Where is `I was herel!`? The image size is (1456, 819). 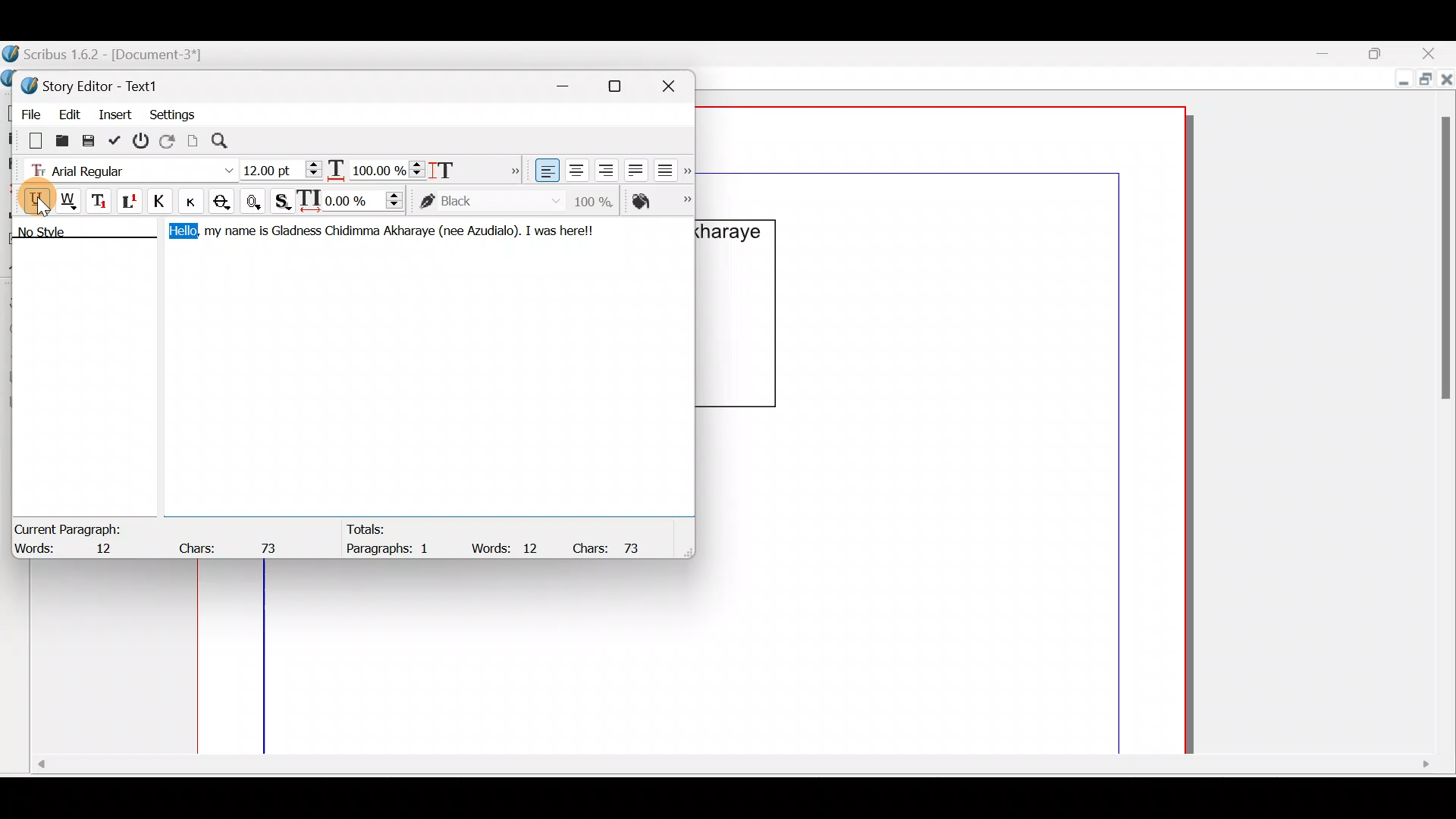
I was herel! is located at coordinates (563, 229).